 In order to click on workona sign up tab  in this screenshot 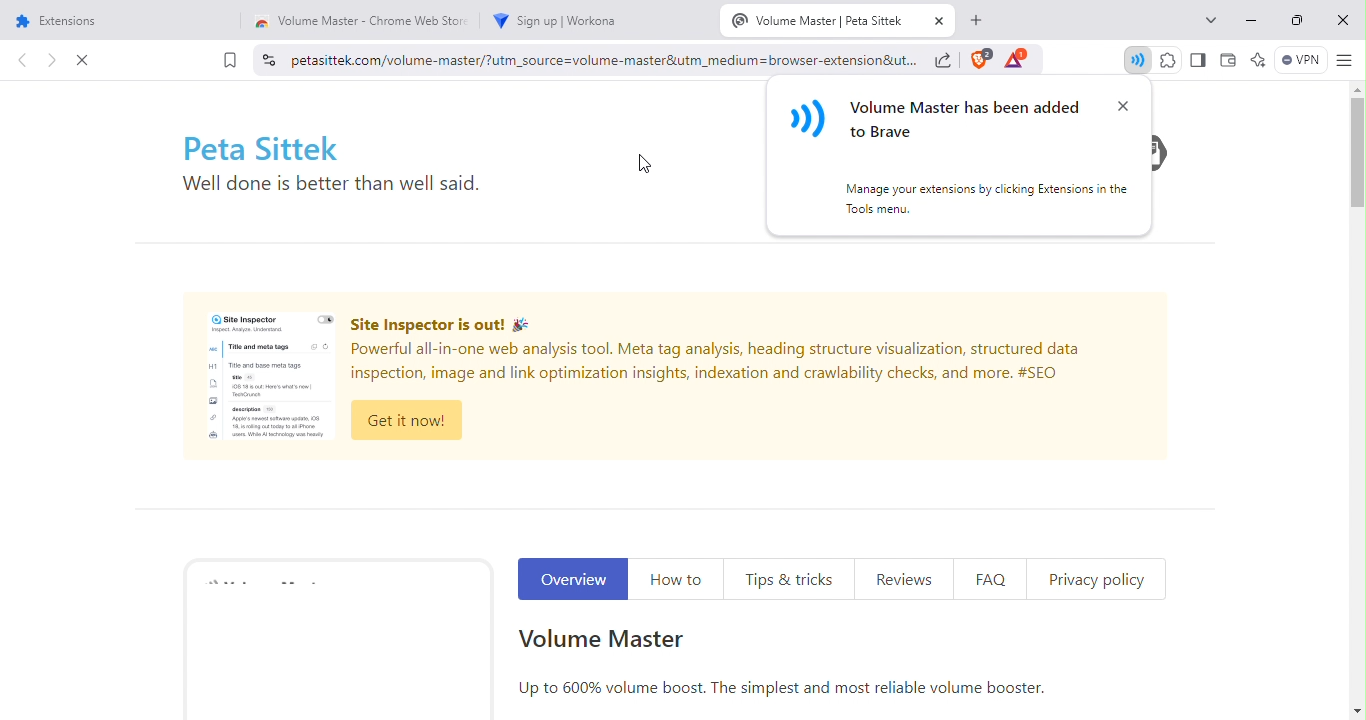, I will do `click(594, 20)`.